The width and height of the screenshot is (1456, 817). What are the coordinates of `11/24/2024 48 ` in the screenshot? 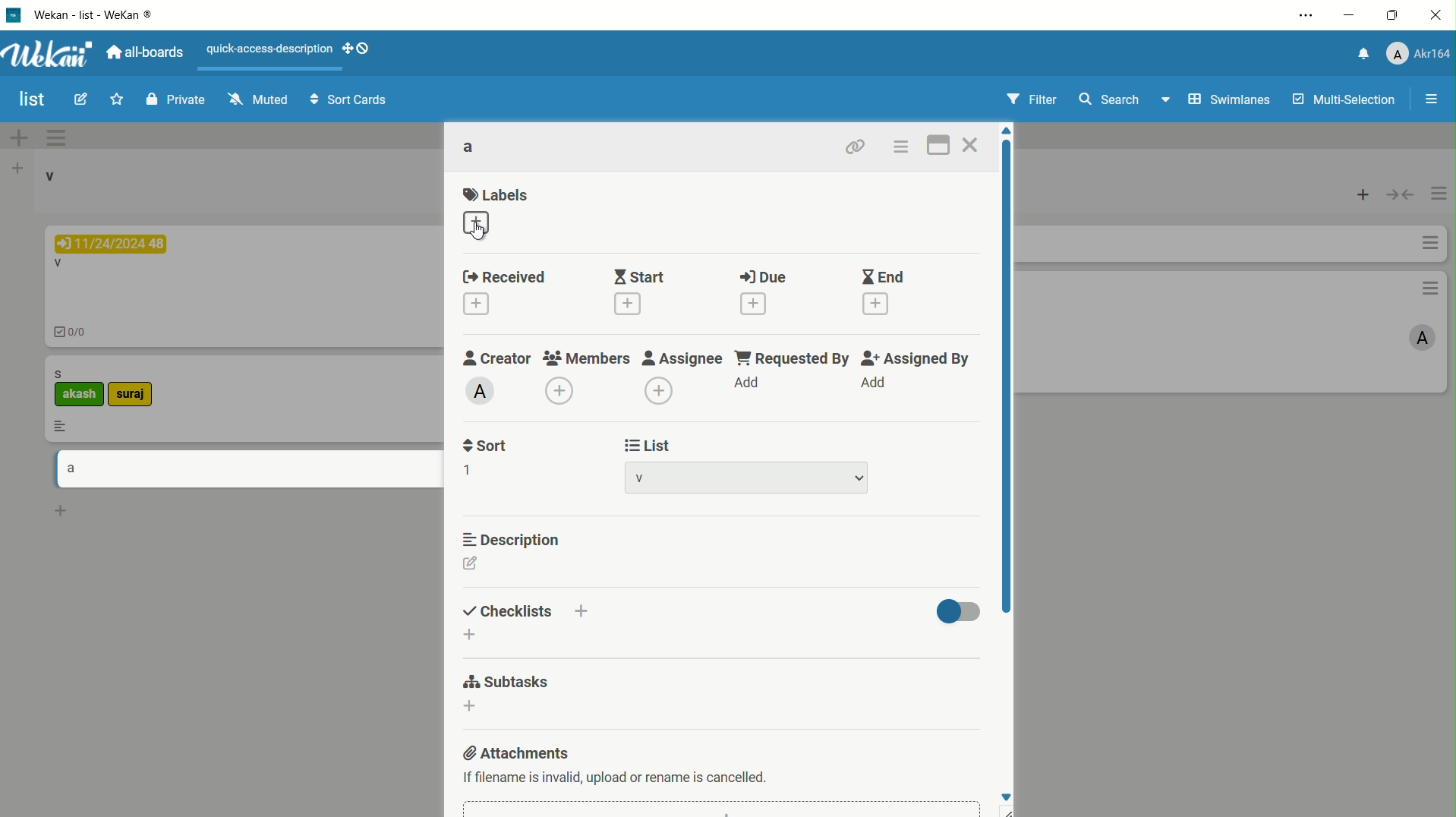 It's located at (117, 241).